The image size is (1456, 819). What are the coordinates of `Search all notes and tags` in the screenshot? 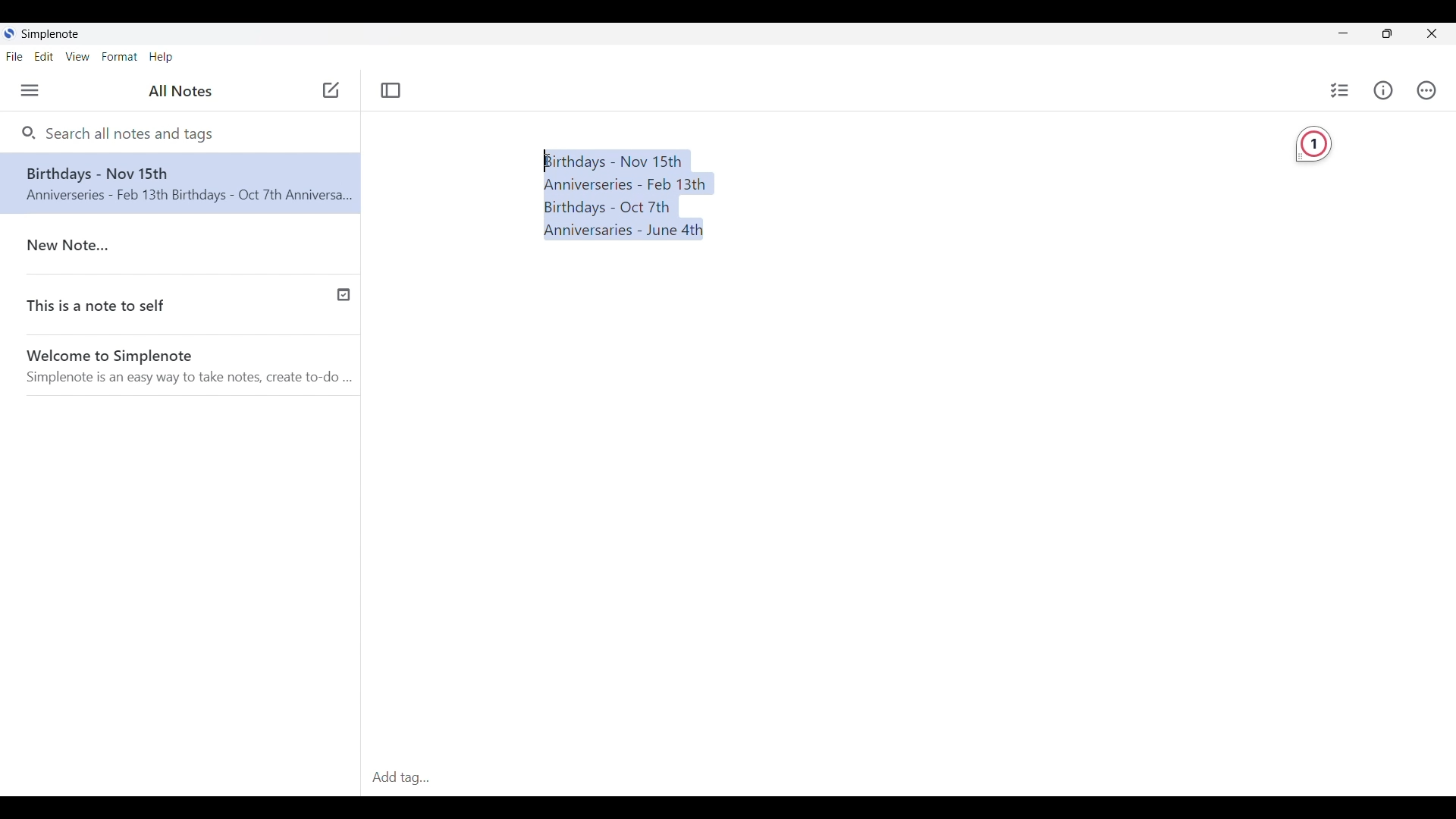 It's located at (134, 133).